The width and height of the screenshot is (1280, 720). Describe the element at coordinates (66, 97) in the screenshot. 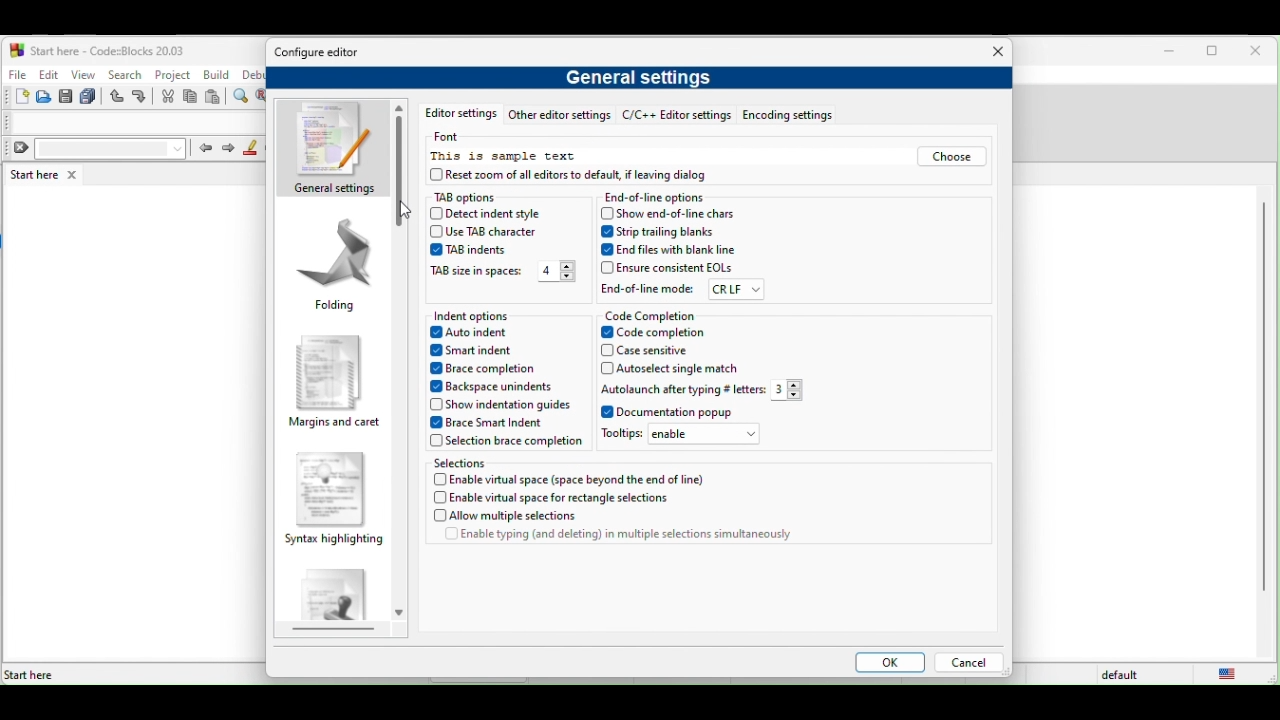

I see `save` at that location.